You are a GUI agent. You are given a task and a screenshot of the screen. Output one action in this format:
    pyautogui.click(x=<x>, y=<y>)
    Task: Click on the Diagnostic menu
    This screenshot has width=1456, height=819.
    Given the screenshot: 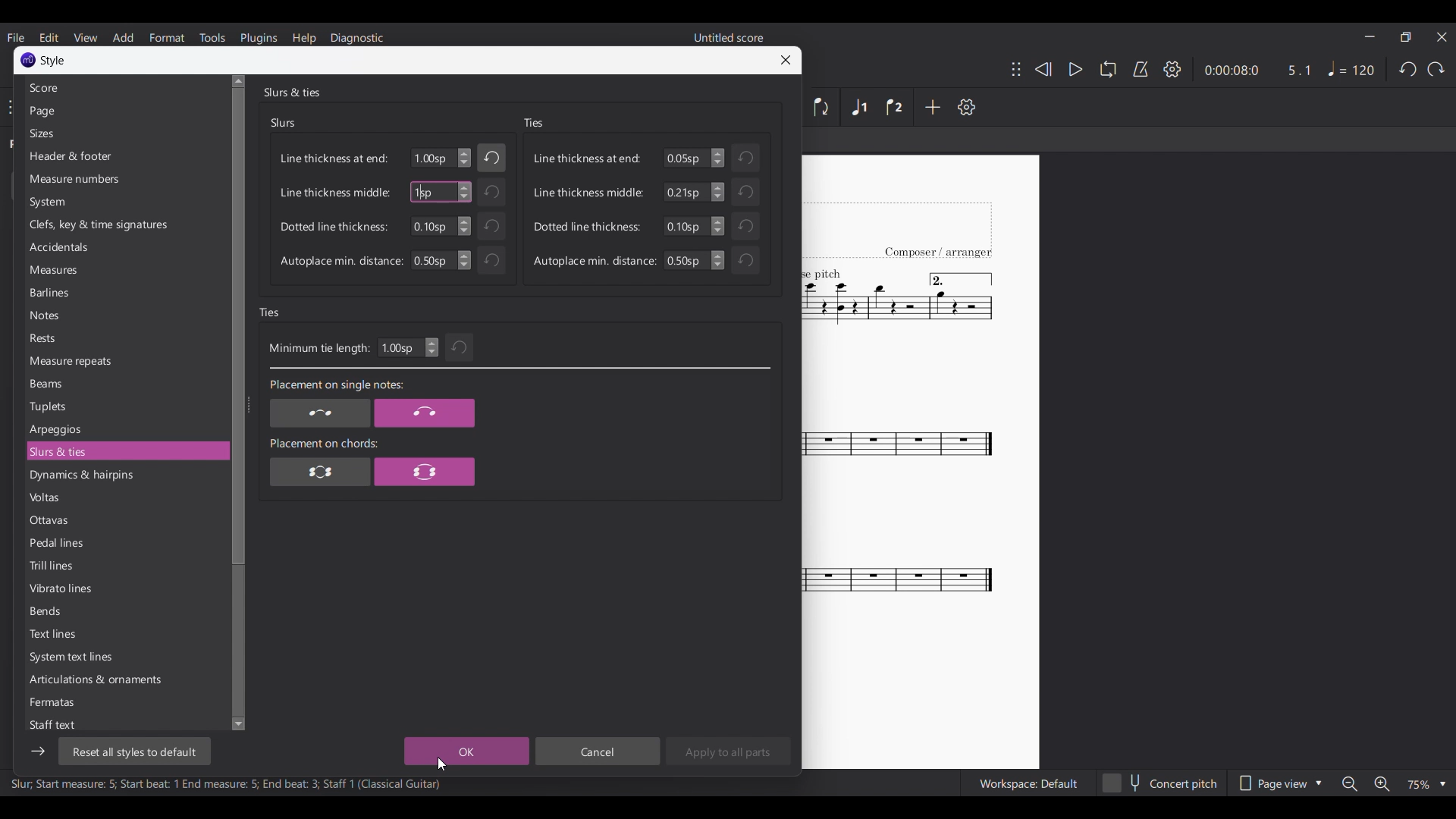 What is the action you would take?
    pyautogui.click(x=356, y=39)
    